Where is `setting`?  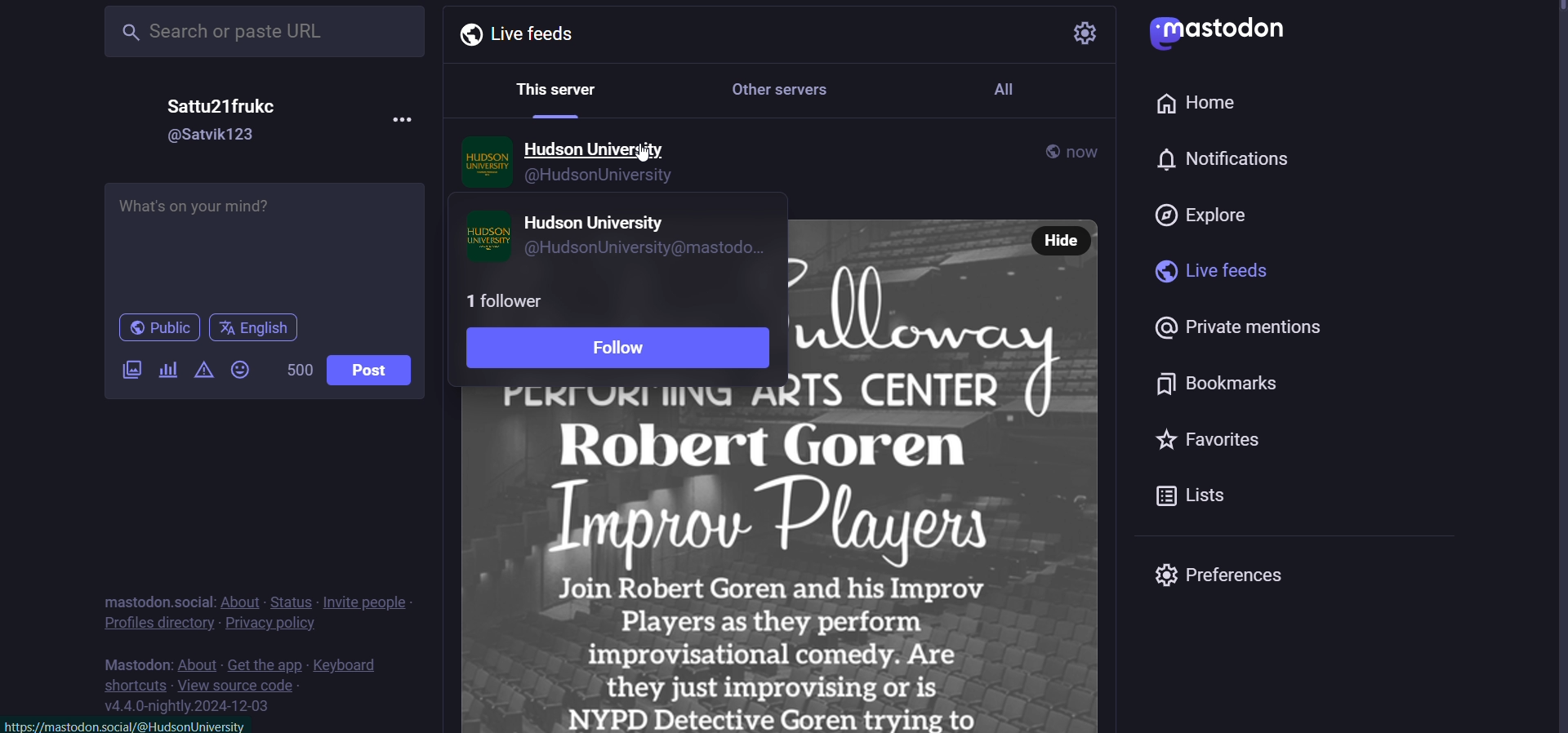
setting is located at coordinates (1086, 32).